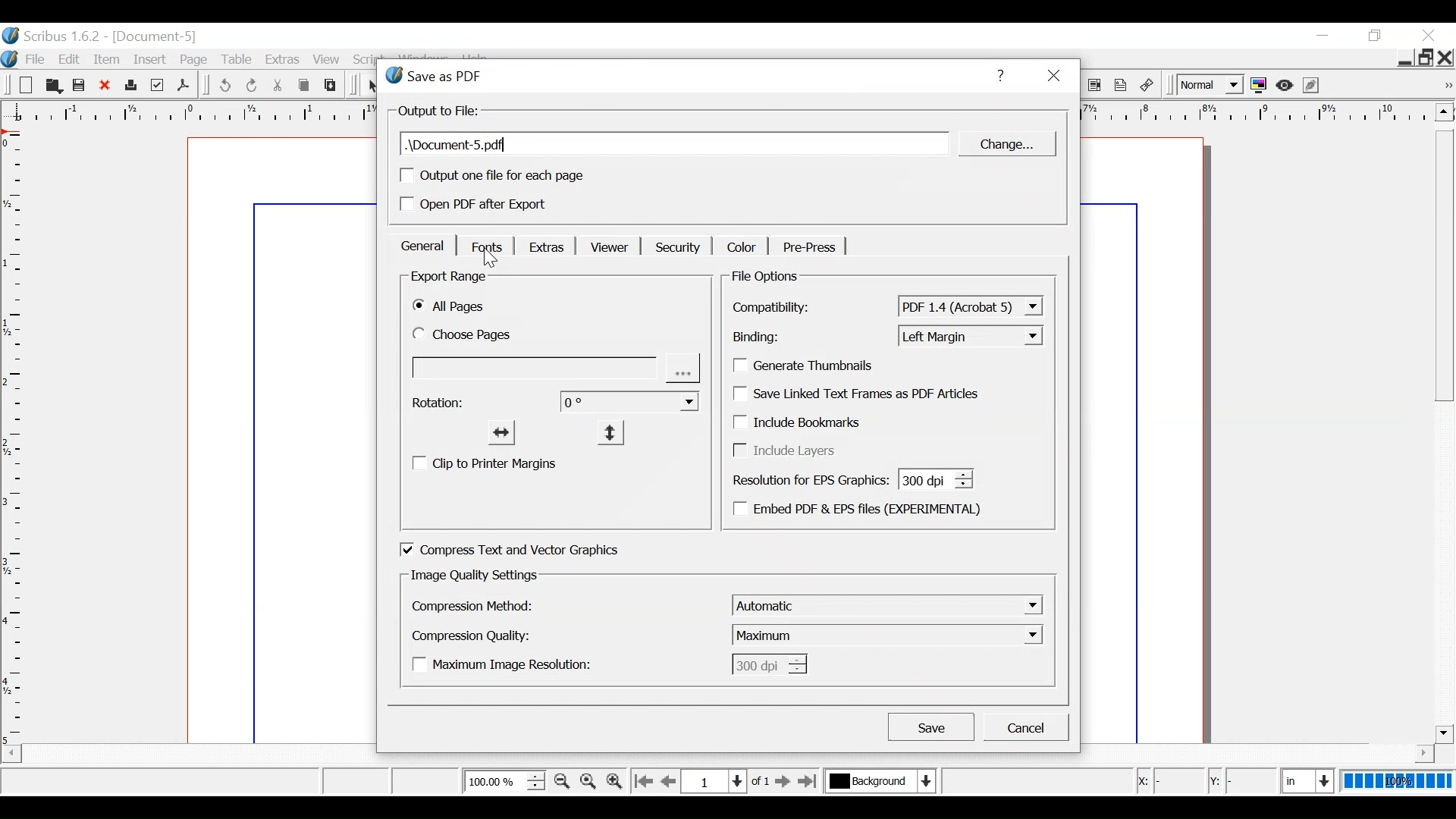 This screenshot has width=1456, height=819. I want to click on (un)select All pages, so click(454, 307).